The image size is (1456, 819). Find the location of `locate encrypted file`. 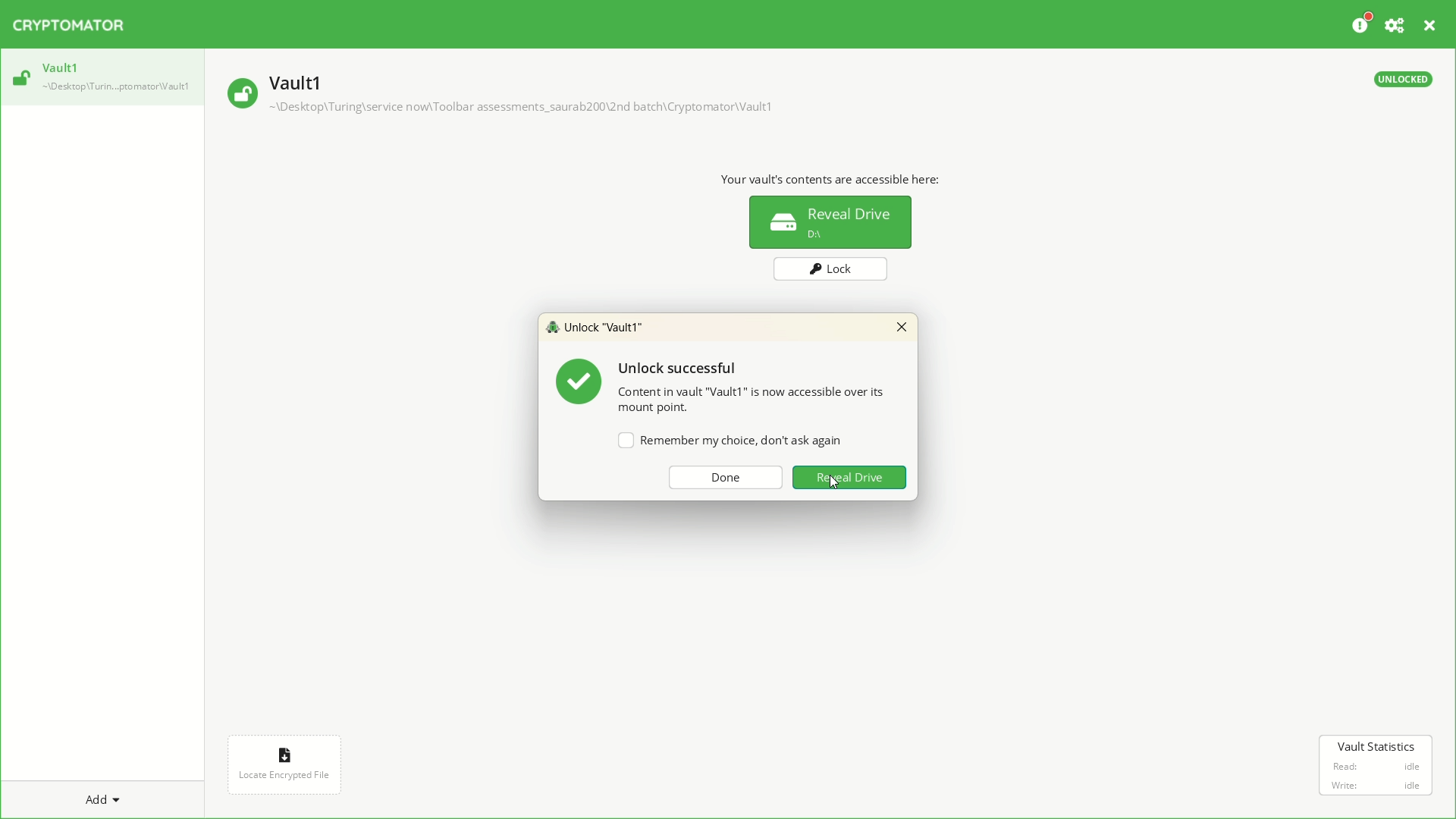

locate encrypted file is located at coordinates (284, 764).